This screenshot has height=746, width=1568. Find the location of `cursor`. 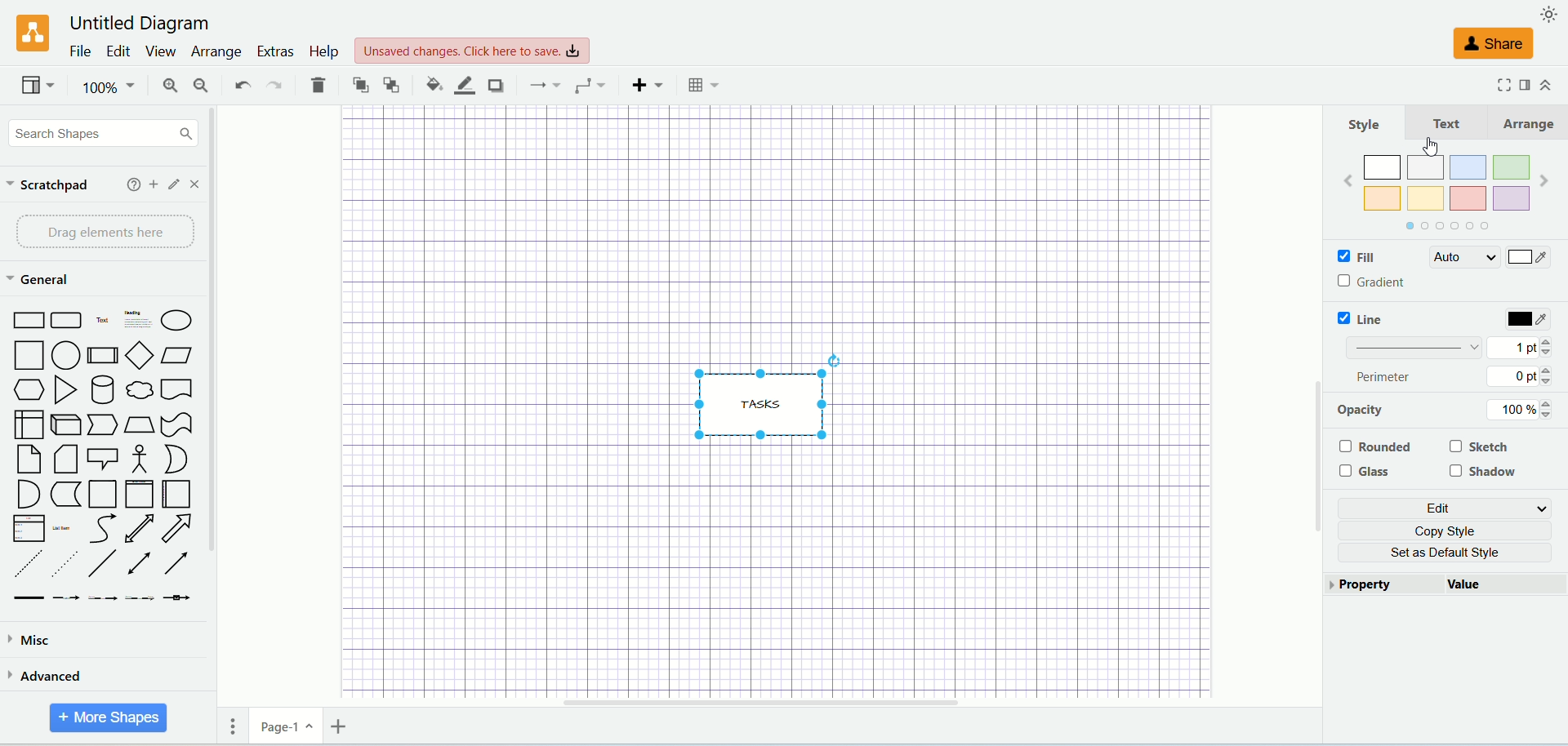

cursor is located at coordinates (1433, 147).